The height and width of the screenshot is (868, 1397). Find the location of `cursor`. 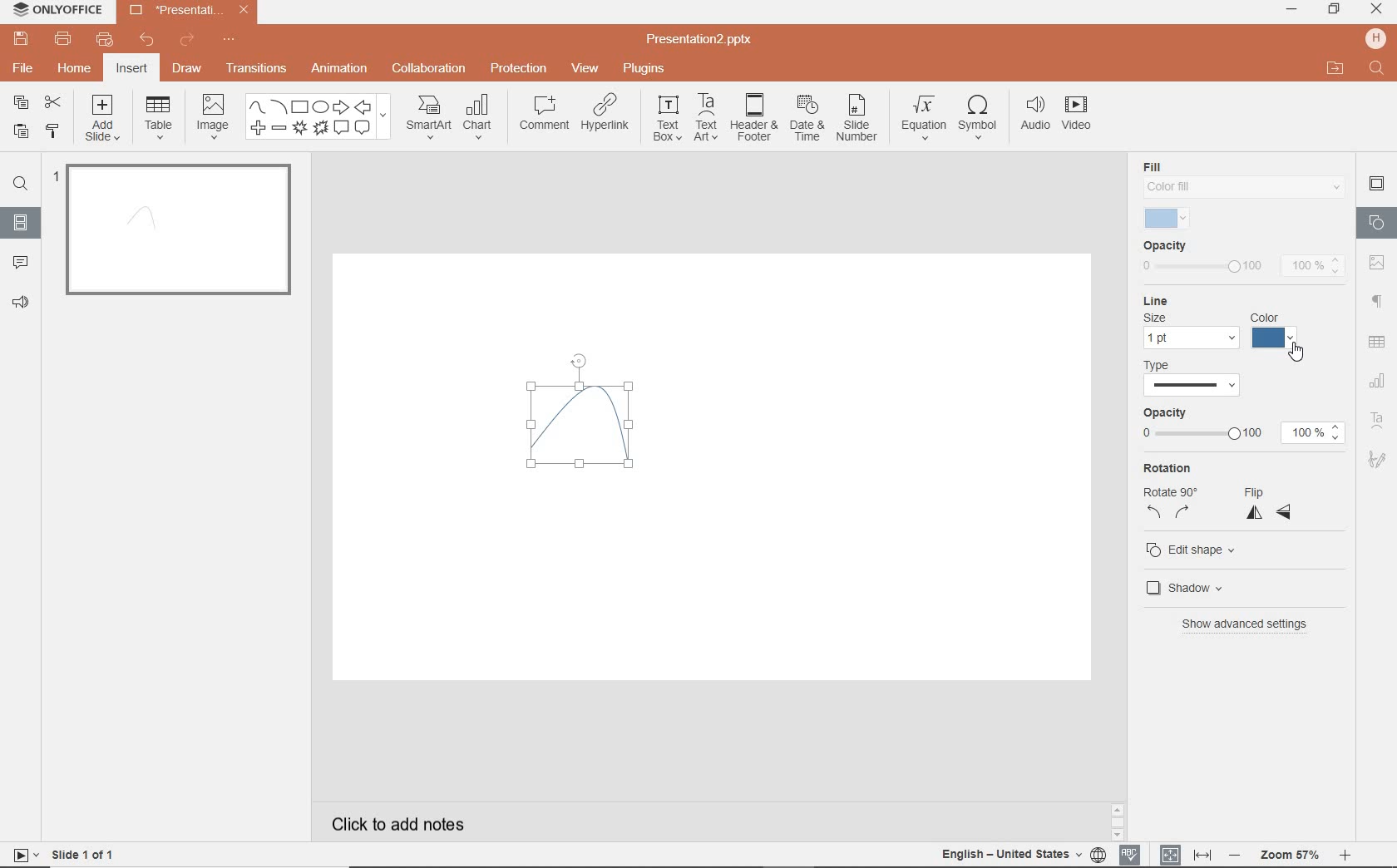

cursor is located at coordinates (1293, 353).